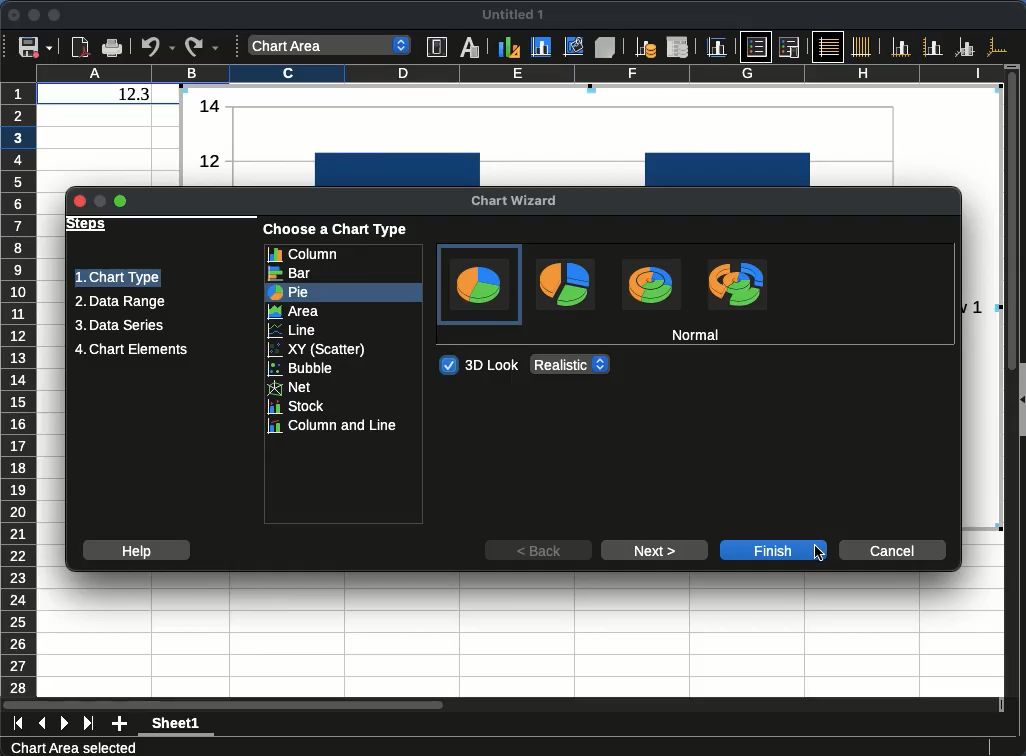 This screenshot has width=1026, height=756. What do you see at coordinates (118, 278) in the screenshot?
I see `chart type ` at bounding box center [118, 278].